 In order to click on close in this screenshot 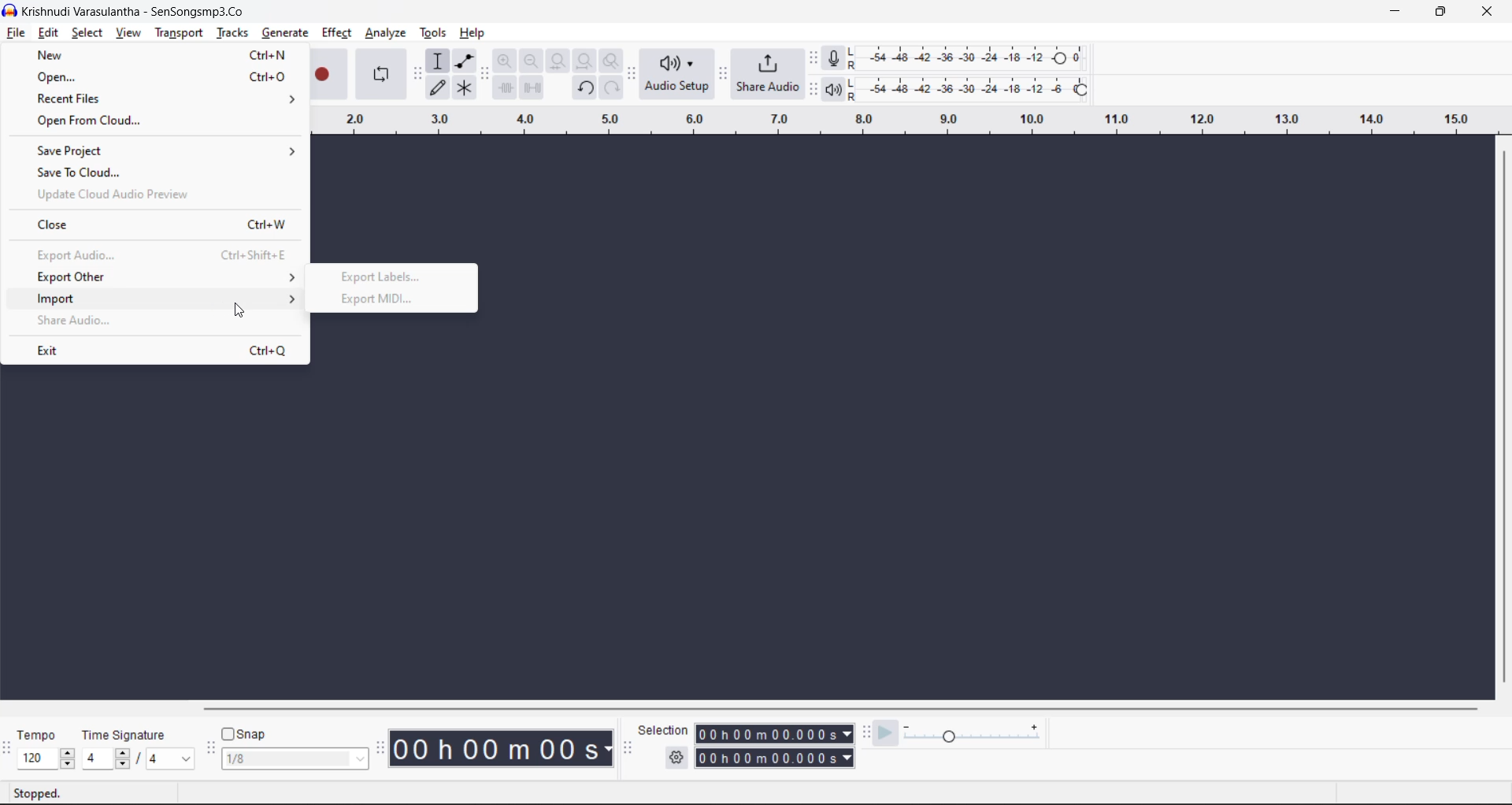, I will do `click(1487, 12)`.